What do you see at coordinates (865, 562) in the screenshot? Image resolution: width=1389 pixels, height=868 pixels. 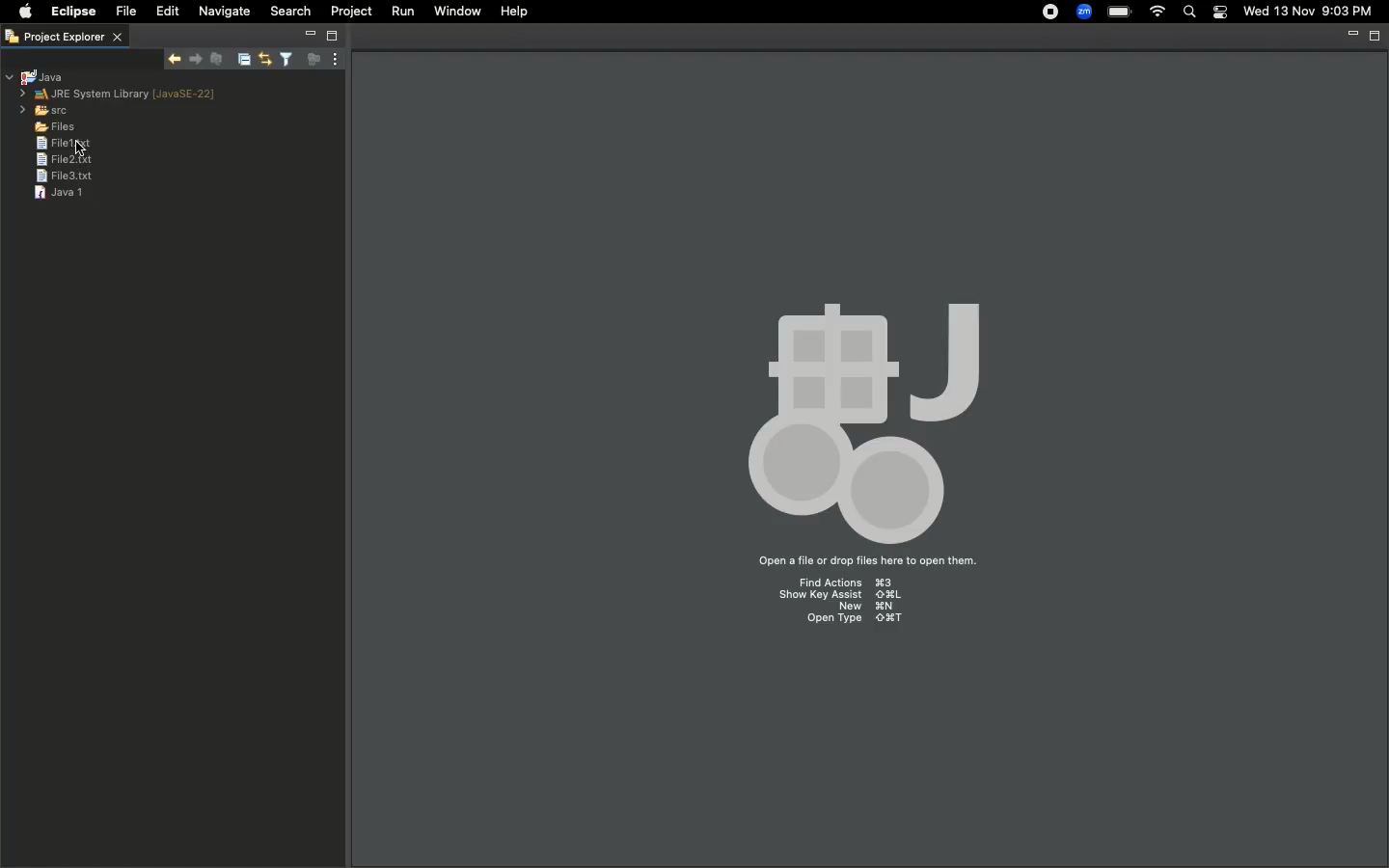 I see `Open a file or drop files here` at bounding box center [865, 562].